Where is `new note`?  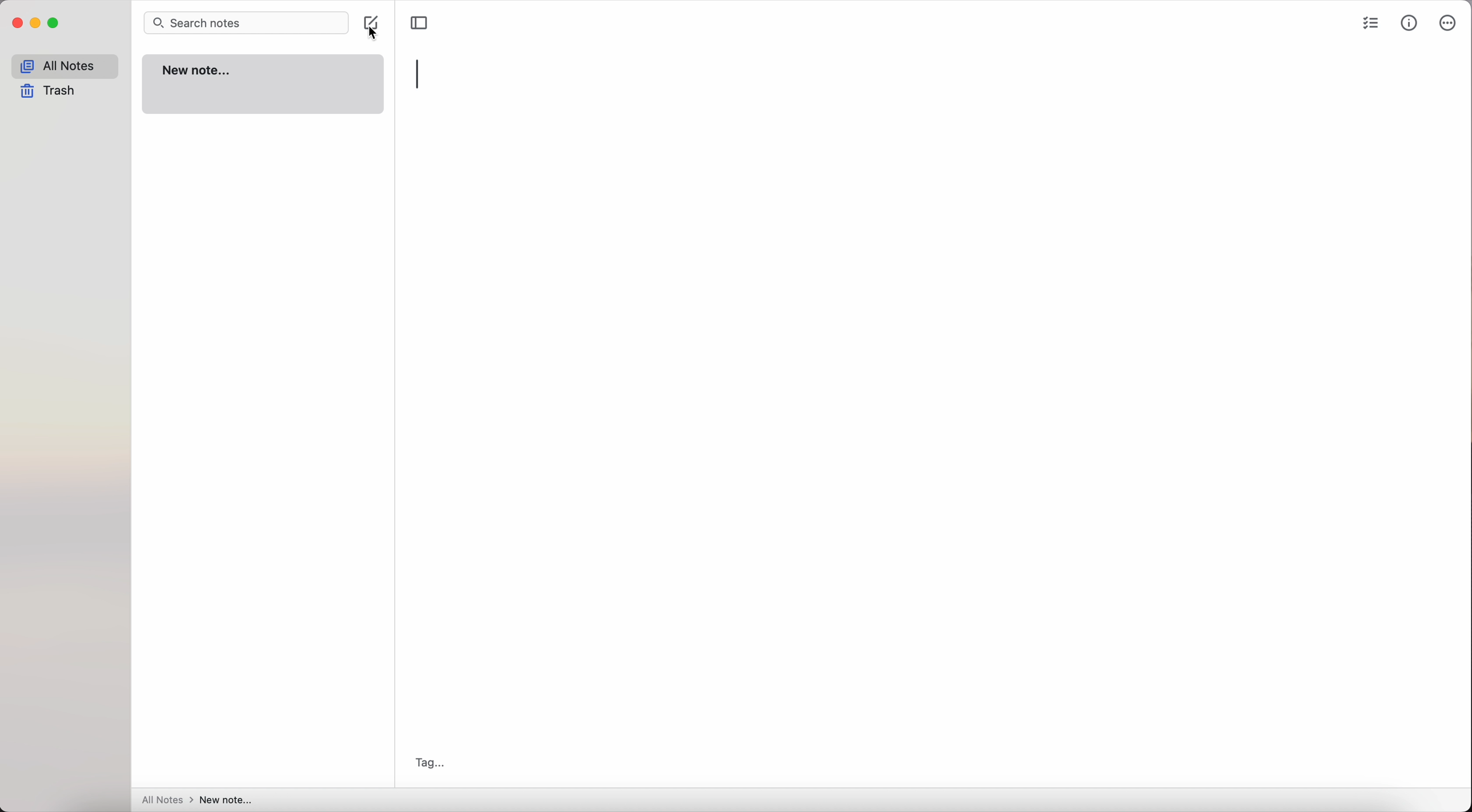 new note is located at coordinates (264, 85).